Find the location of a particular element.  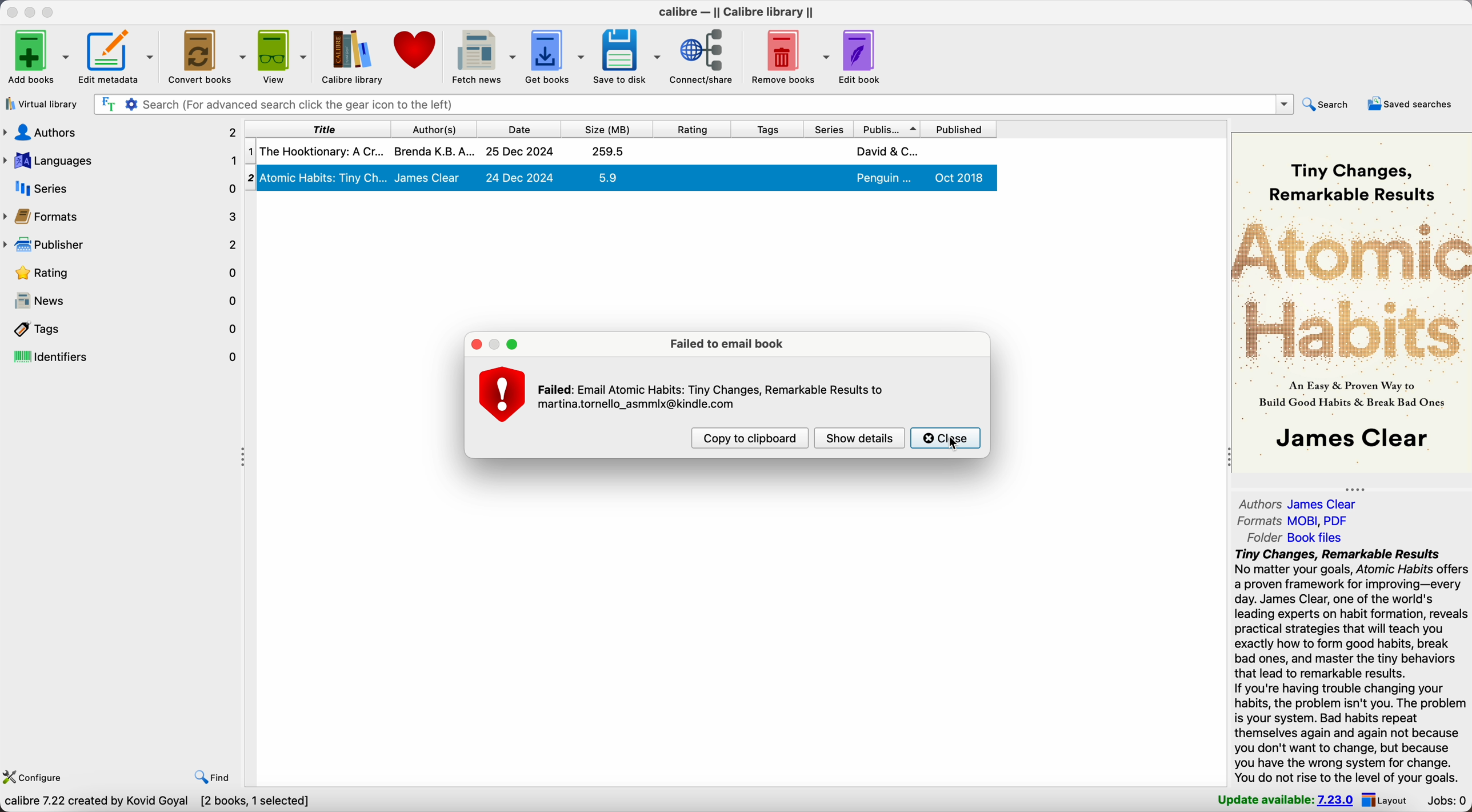

failed to email book is located at coordinates (731, 344).